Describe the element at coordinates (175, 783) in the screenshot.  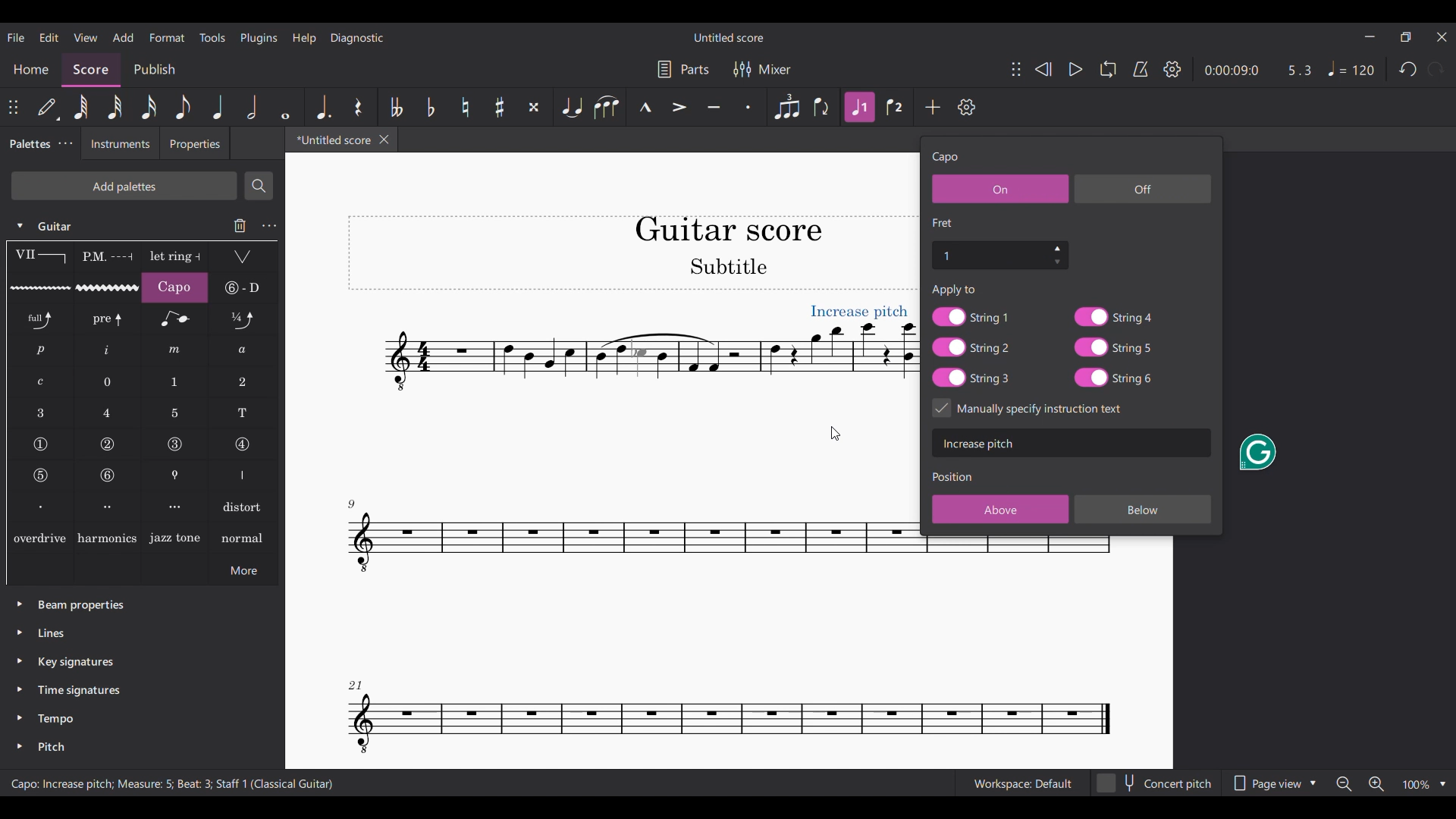
I see `Instruction changed` at that location.